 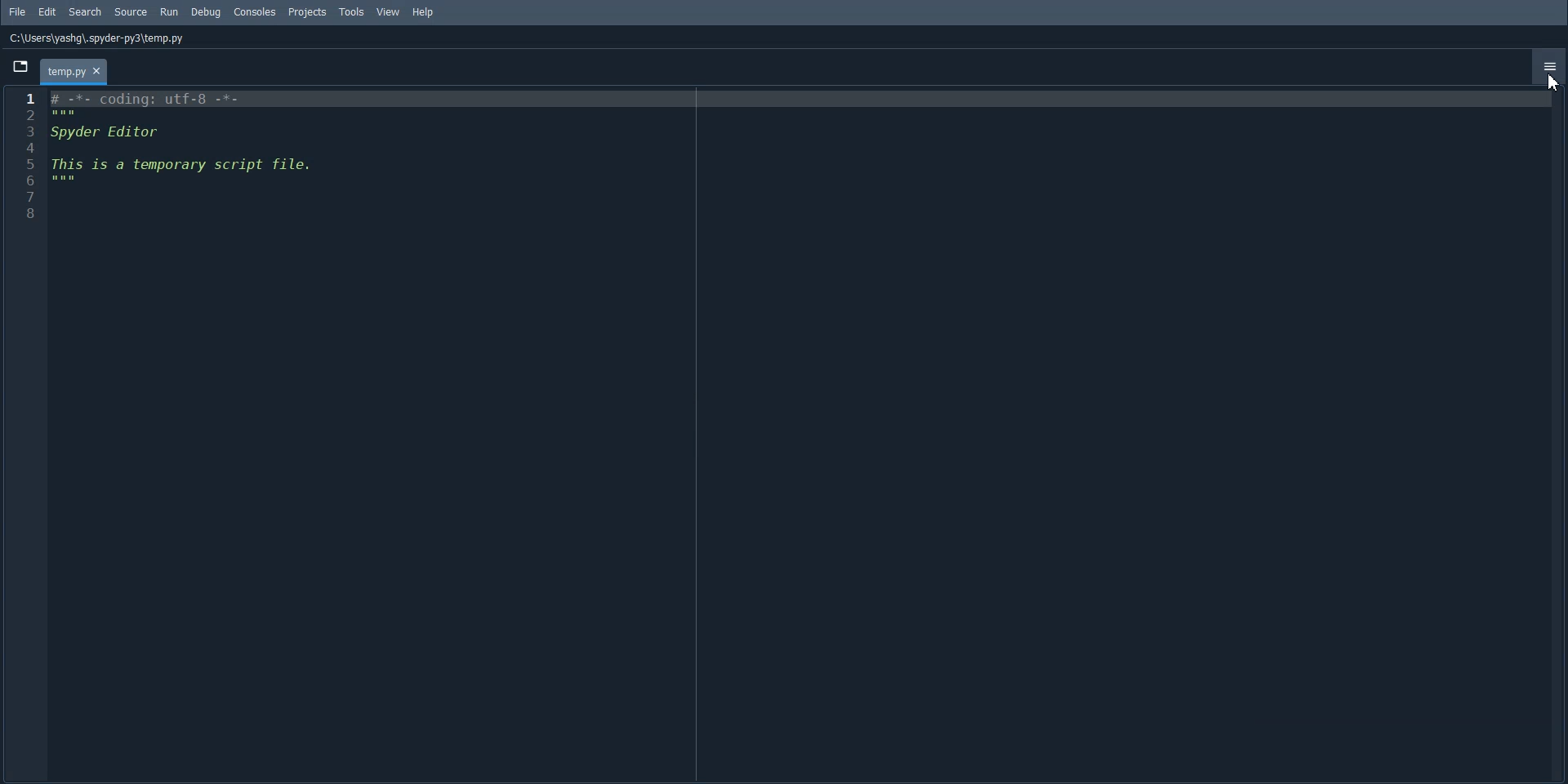 I want to click on Edit, so click(x=47, y=11).